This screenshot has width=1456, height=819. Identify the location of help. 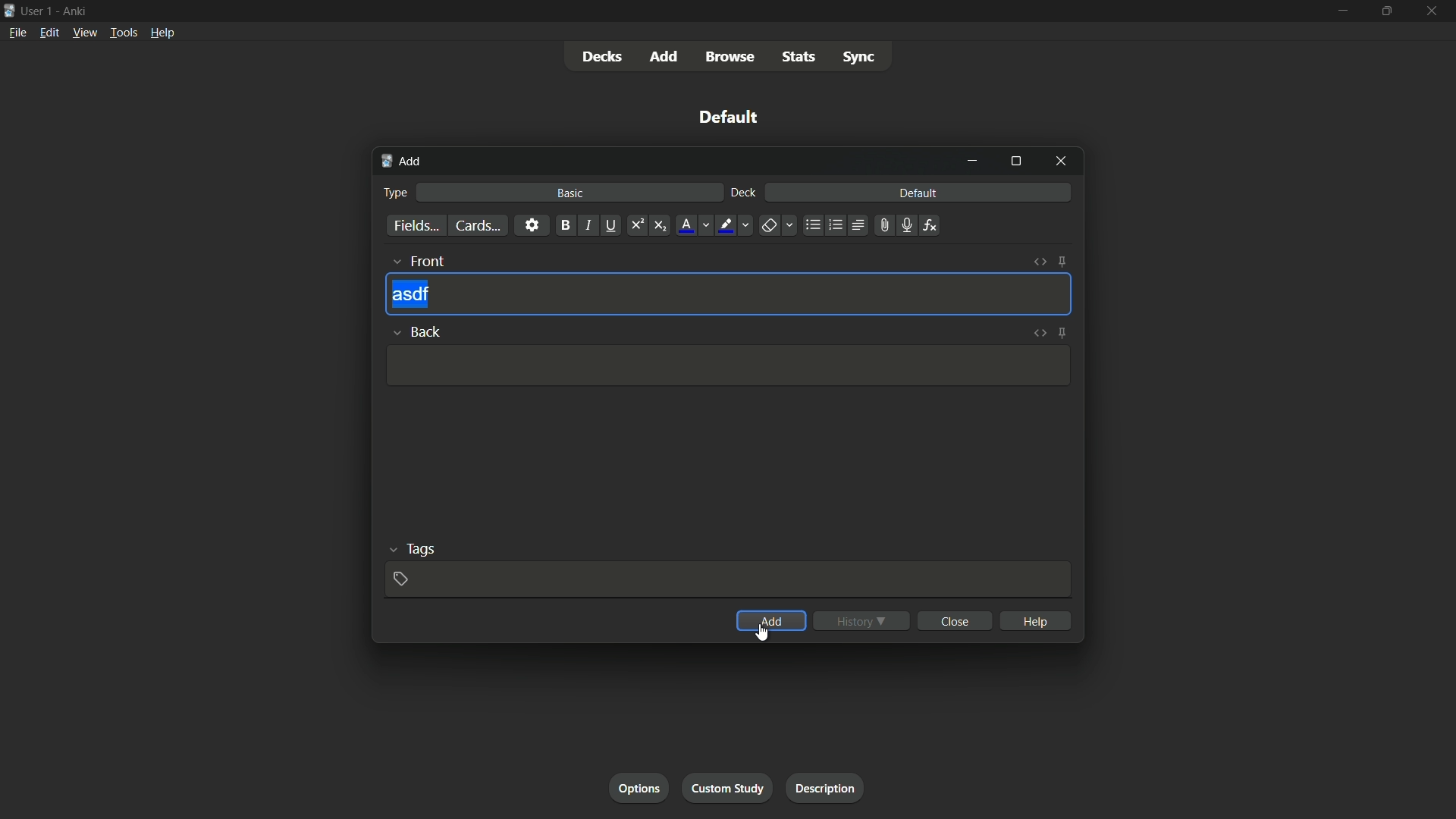
(1036, 621).